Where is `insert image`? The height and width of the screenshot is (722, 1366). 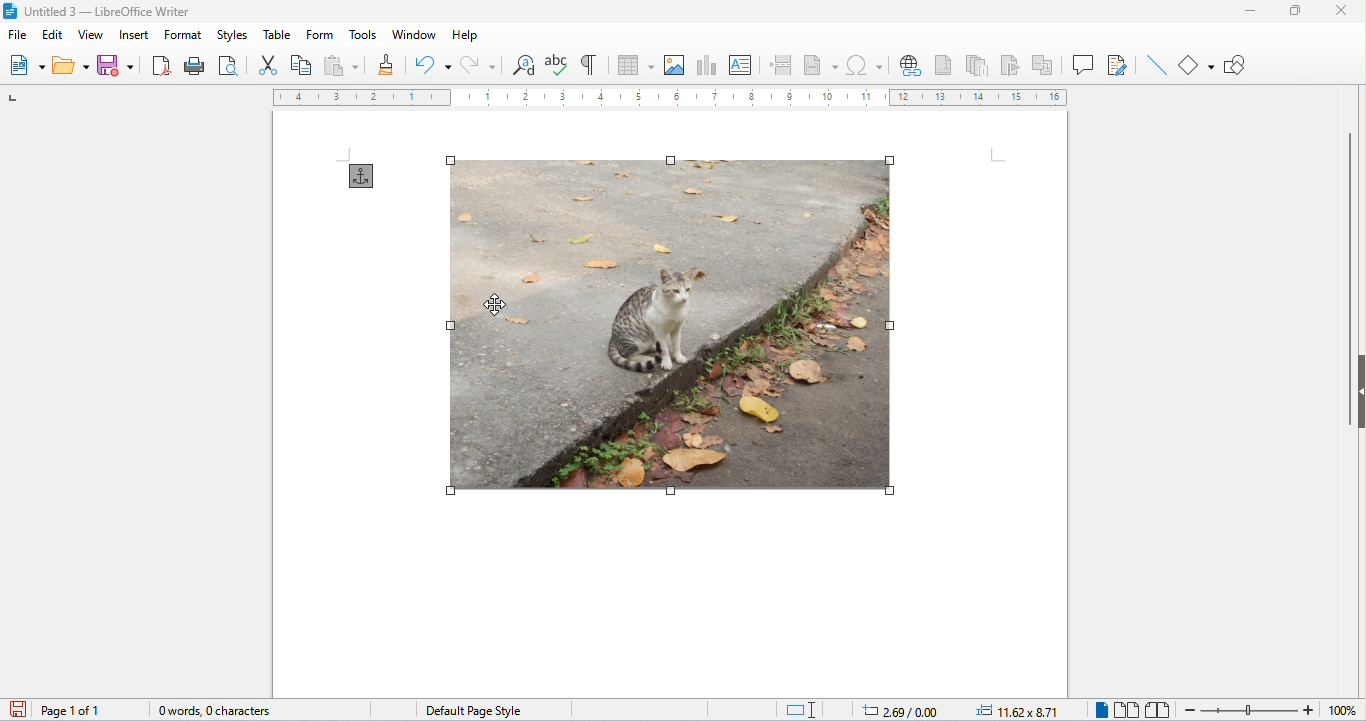 insert image is located at coordinates (675, 66).